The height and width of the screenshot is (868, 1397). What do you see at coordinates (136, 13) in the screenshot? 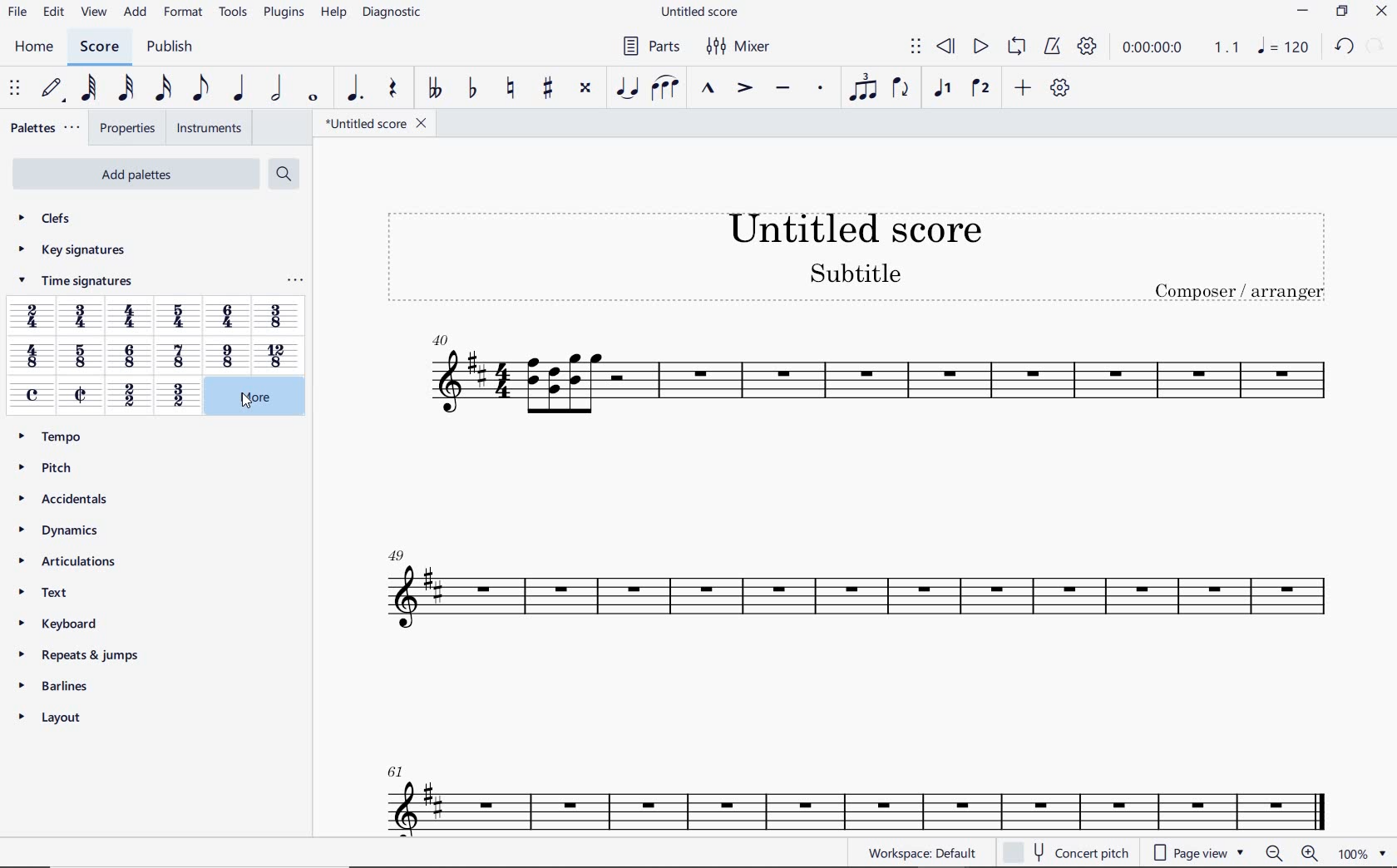
I see `ADD` at bounding box center [136, 13].